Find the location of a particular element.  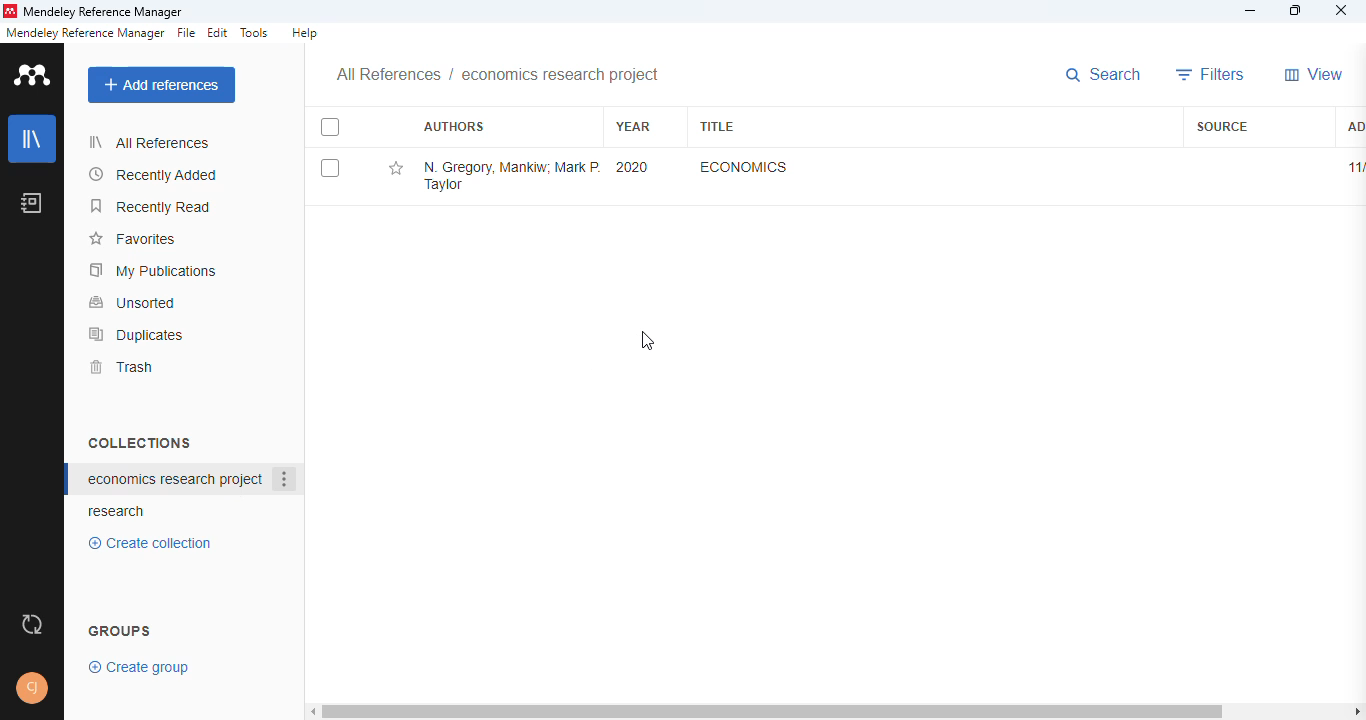

unsorted is located at coordinates (133, 302).